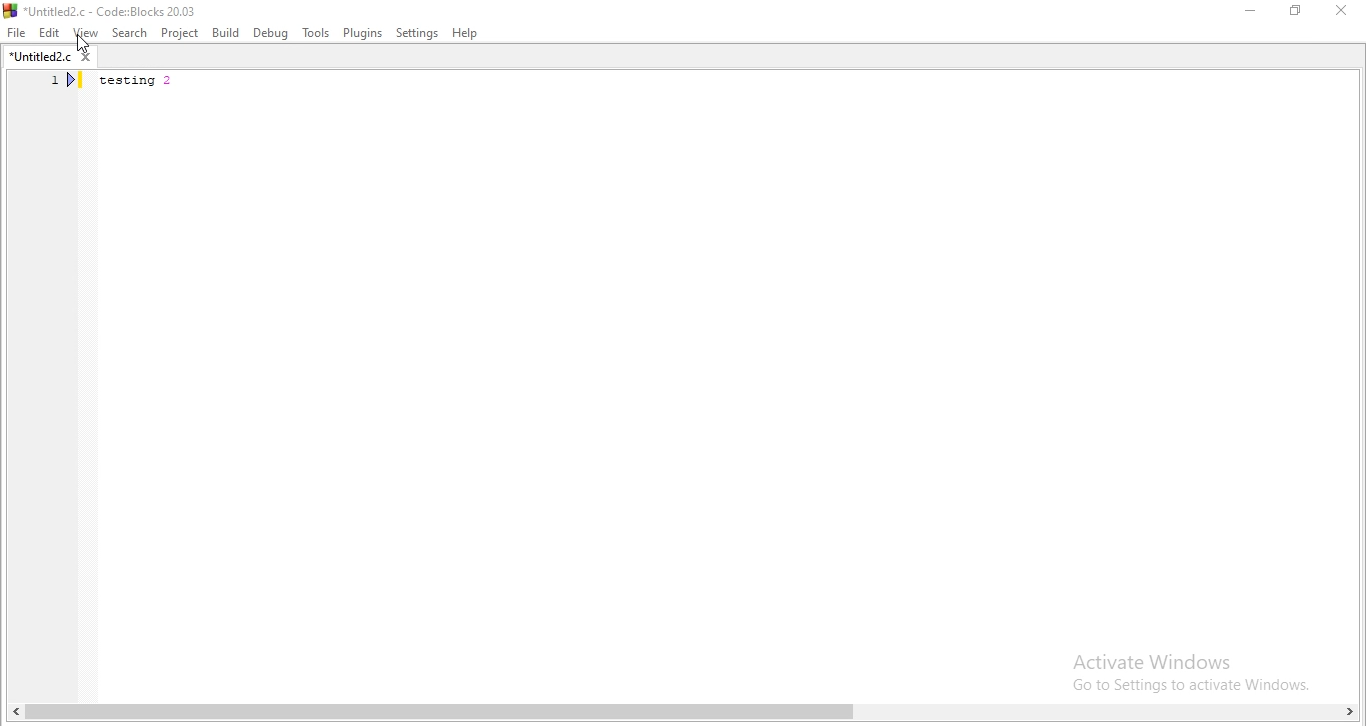 The width and height of the screenshot is (1366, 726). What do you see at coordinates (1297, 11) in the screenshot?
I see `Restore` at bounding box center [1297, 11].